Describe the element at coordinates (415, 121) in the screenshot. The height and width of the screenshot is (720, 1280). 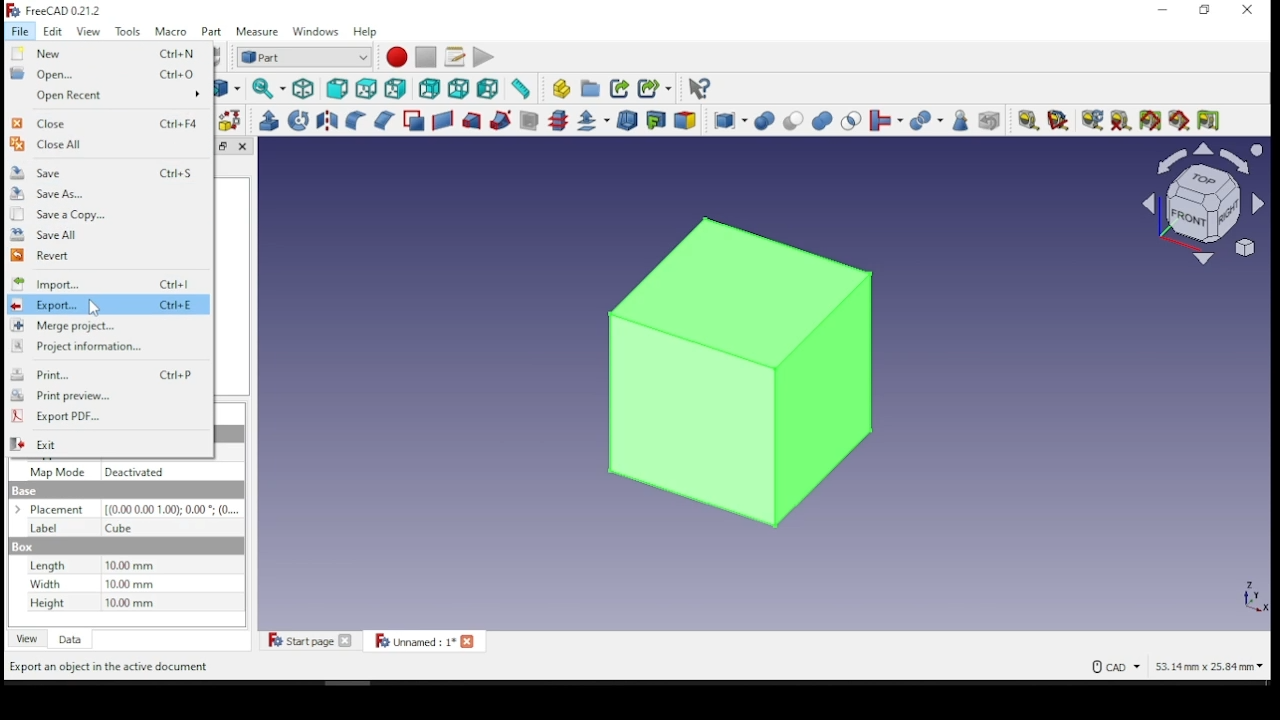
I see `make face from wires` at that location.